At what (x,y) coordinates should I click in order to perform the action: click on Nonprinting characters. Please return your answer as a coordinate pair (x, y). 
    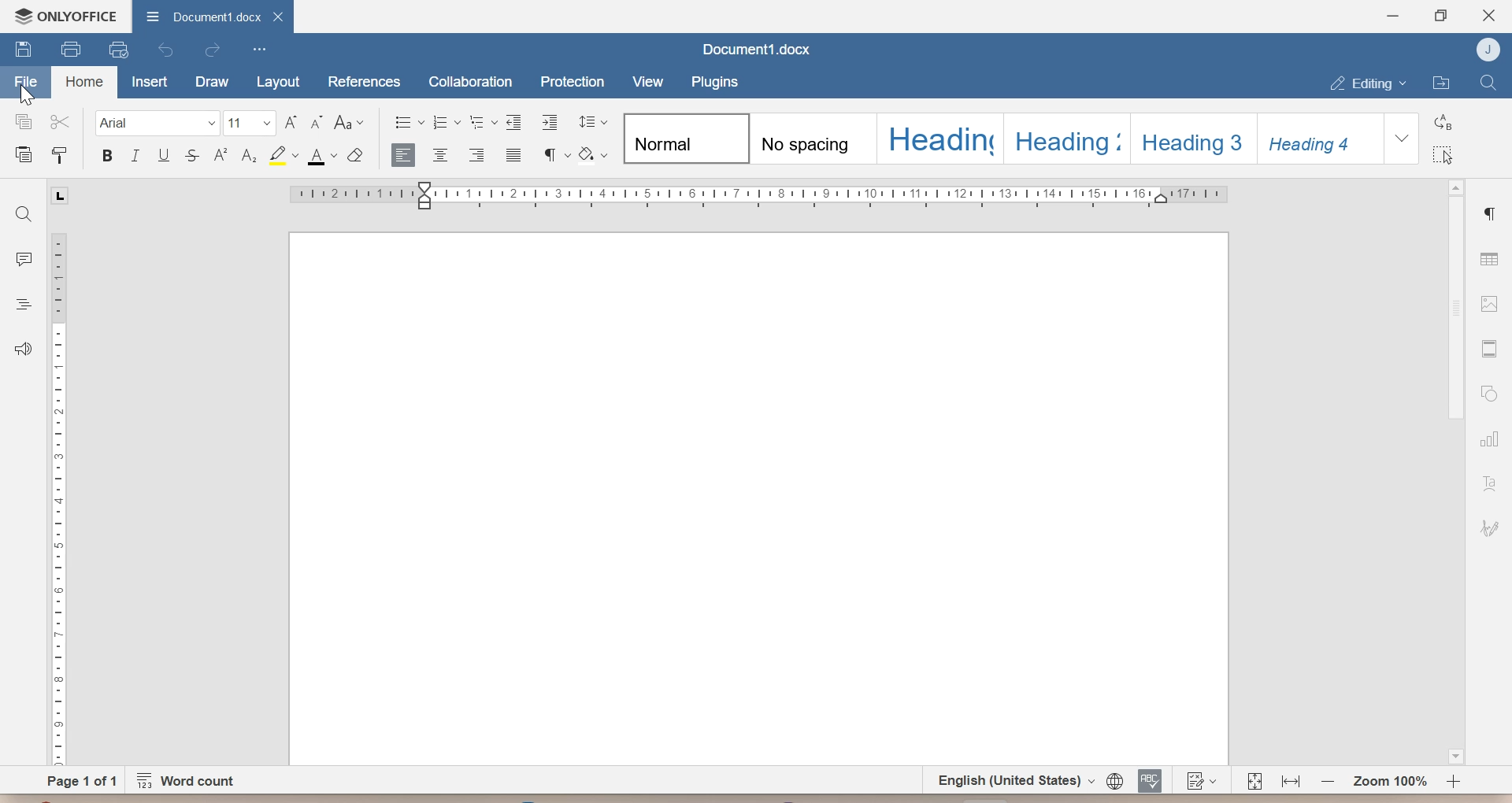
    Looking at the image, I should click on (555, 154).